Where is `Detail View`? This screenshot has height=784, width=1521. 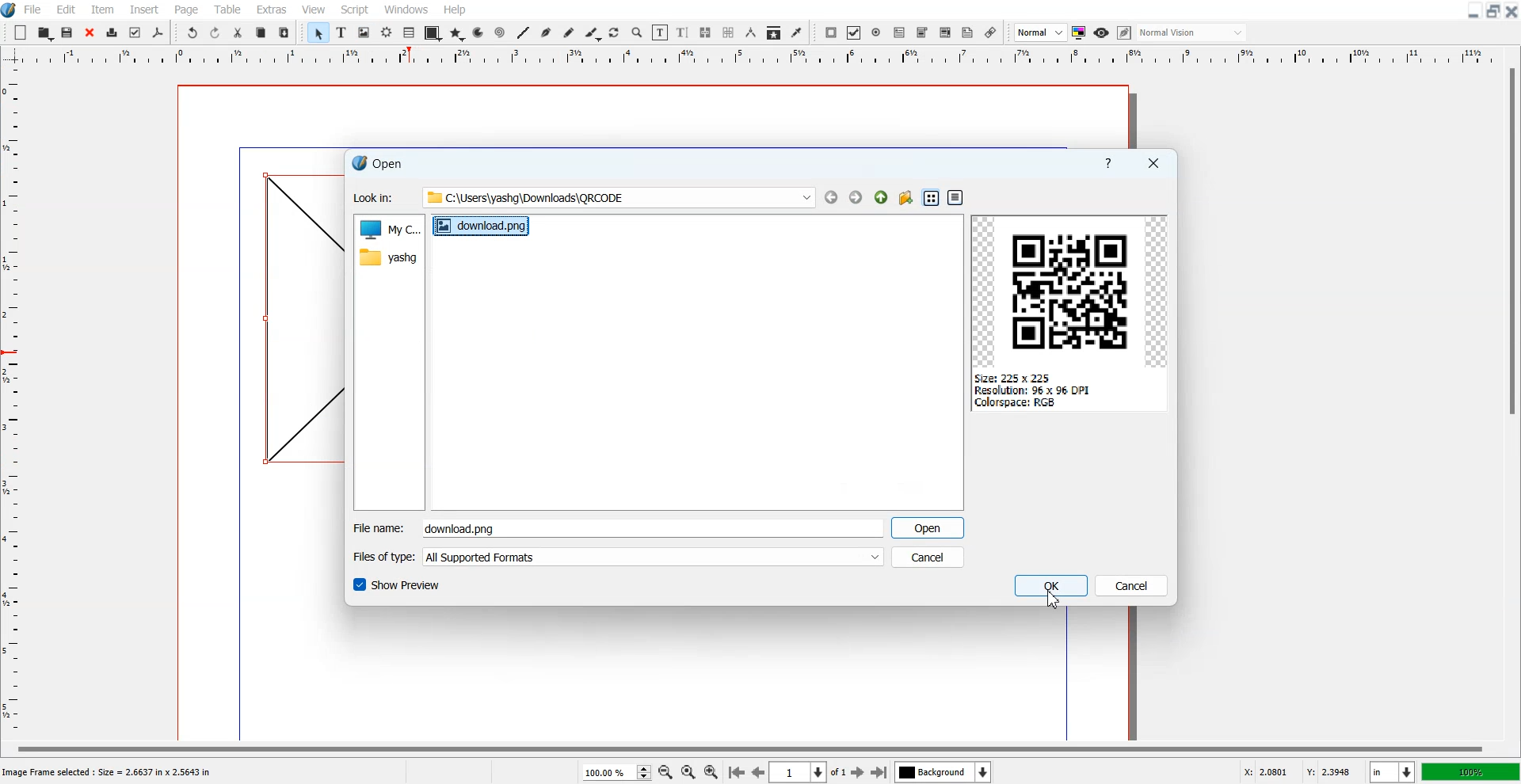
Detail View is located at coordinates (955, 197).